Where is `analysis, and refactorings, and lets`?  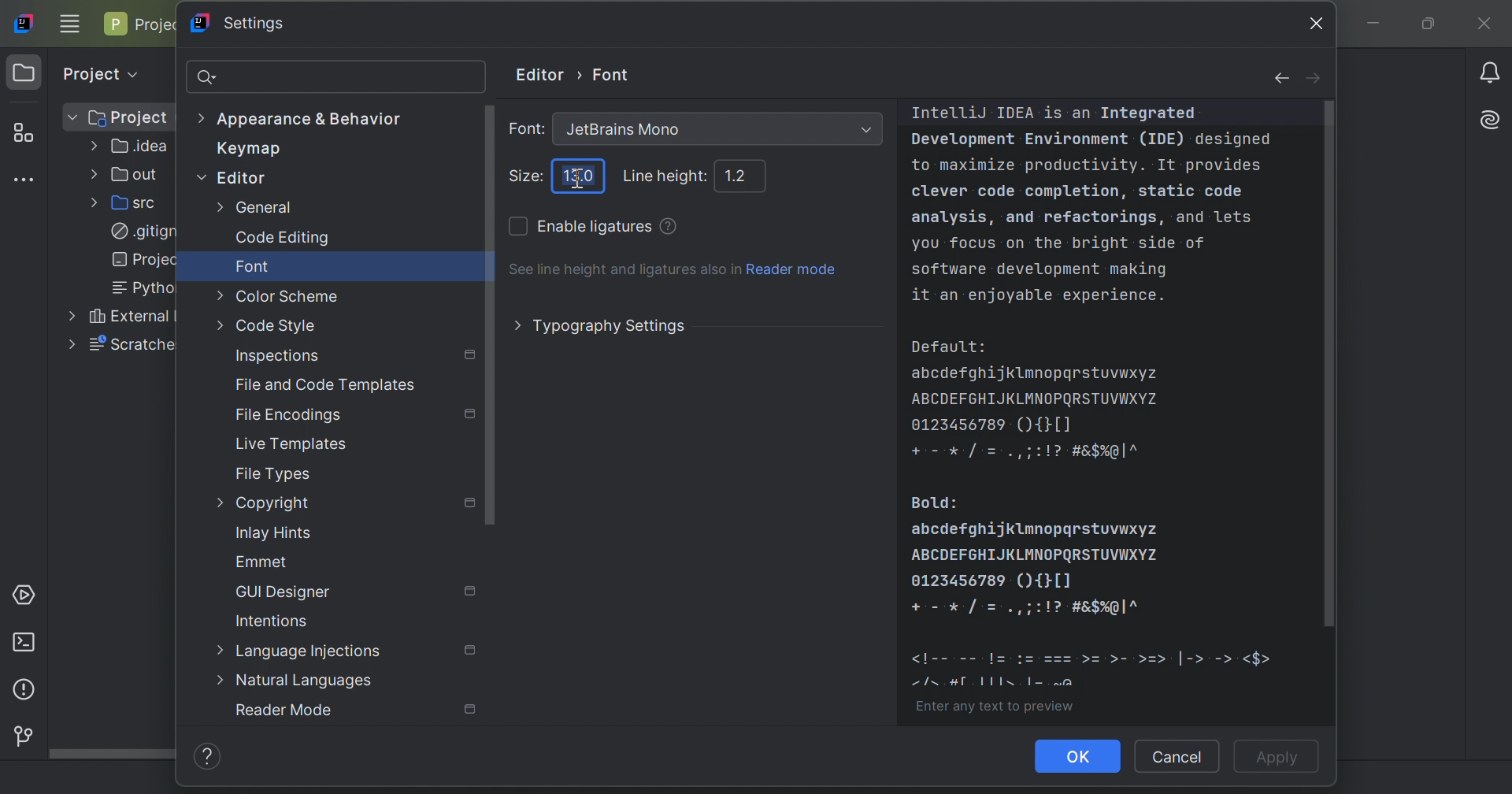
analysis, and refactorings, and lets is located at coordinates (1082, 218).